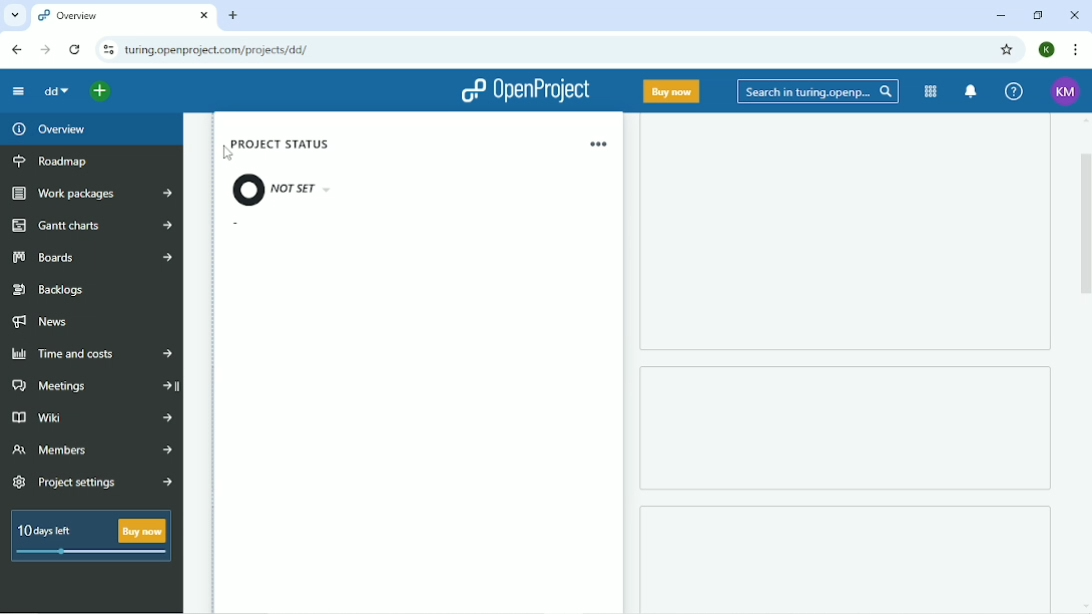 The width and height of the screenshot is (1092, 614). I want to click on New tab, so click(233, 15).